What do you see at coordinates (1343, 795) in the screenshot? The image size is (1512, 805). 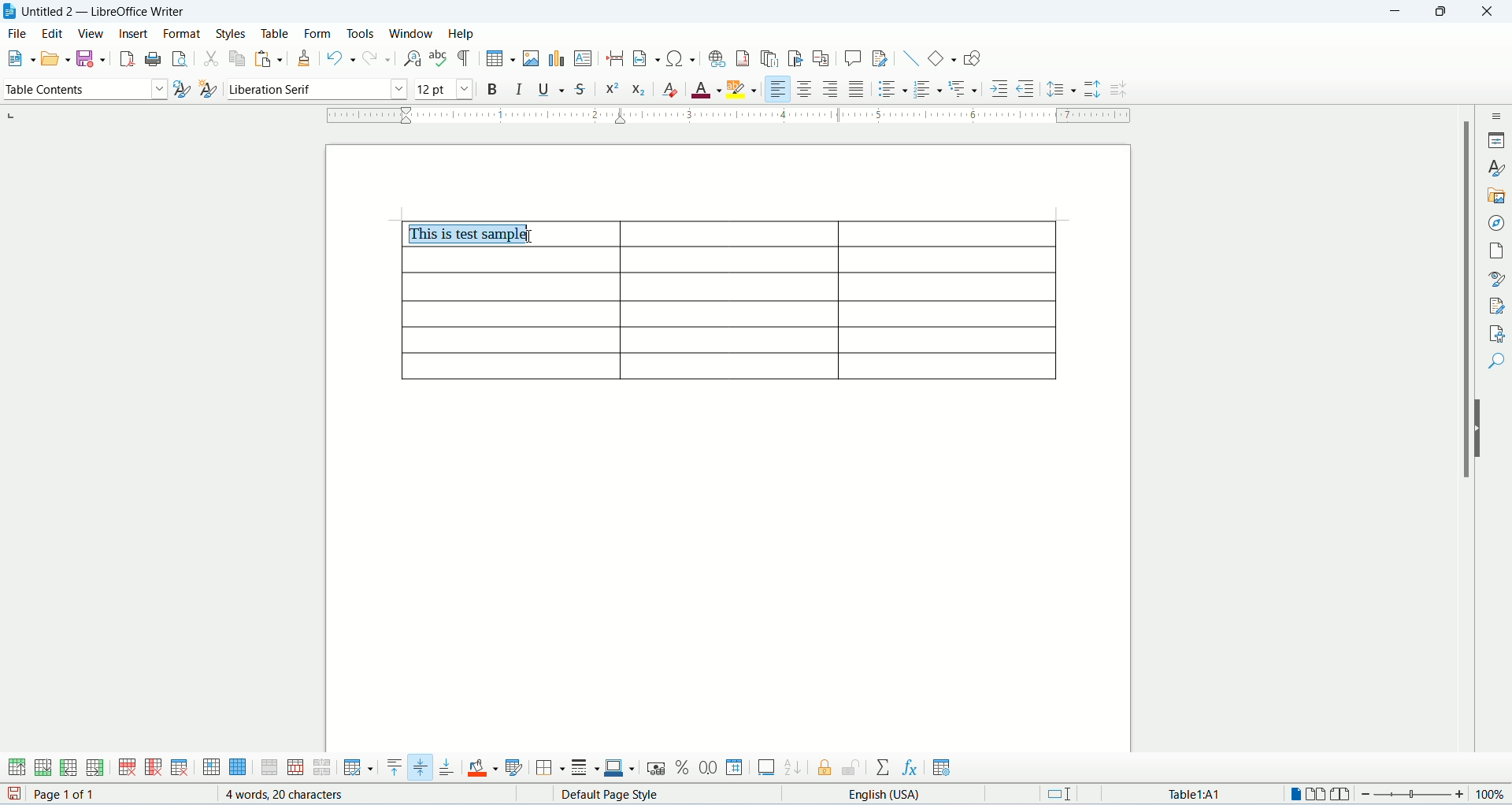 I see `book view` at bounding box center [1343, 795].